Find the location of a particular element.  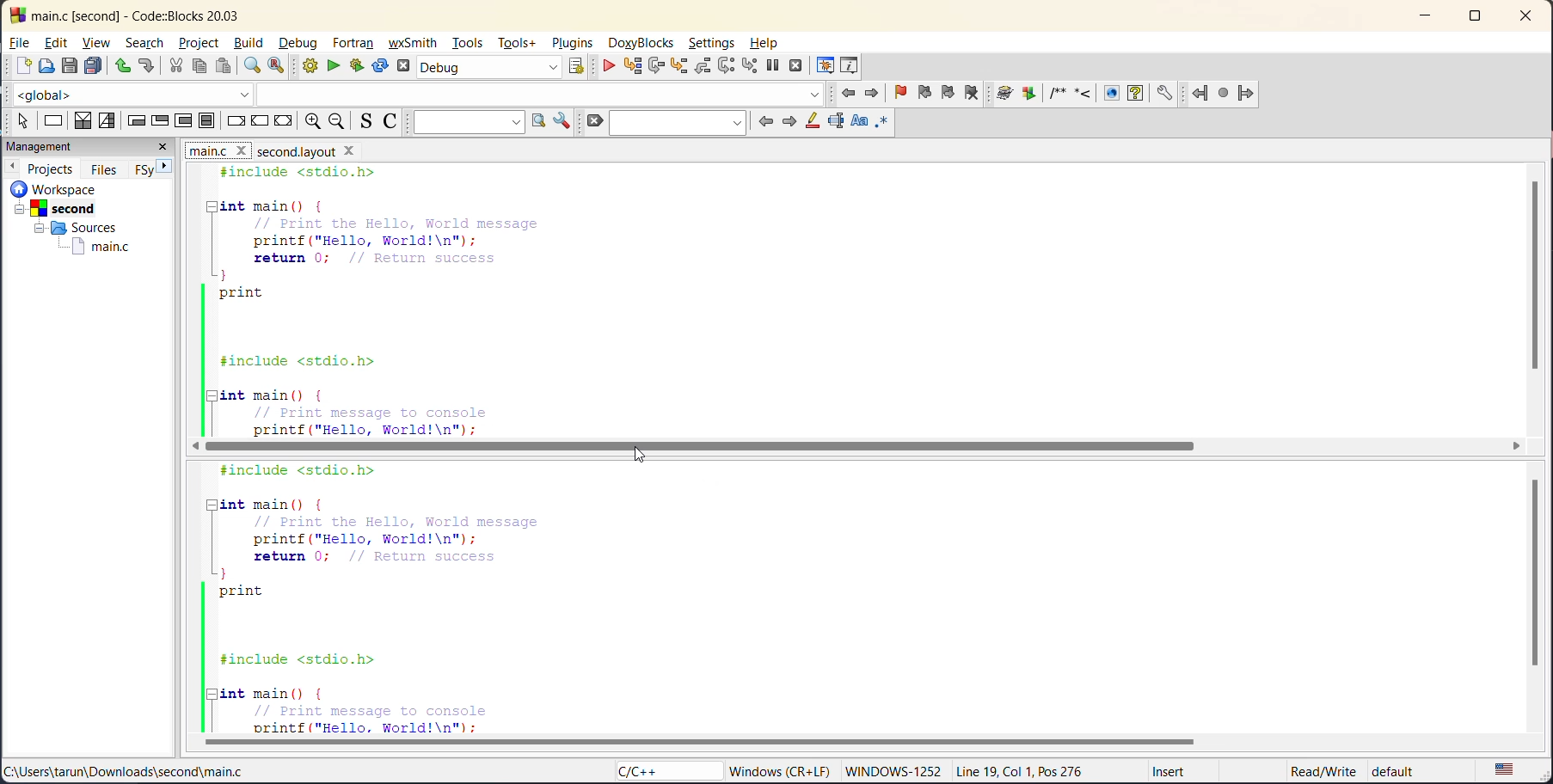

fortran is located at coordinates (353, 43).